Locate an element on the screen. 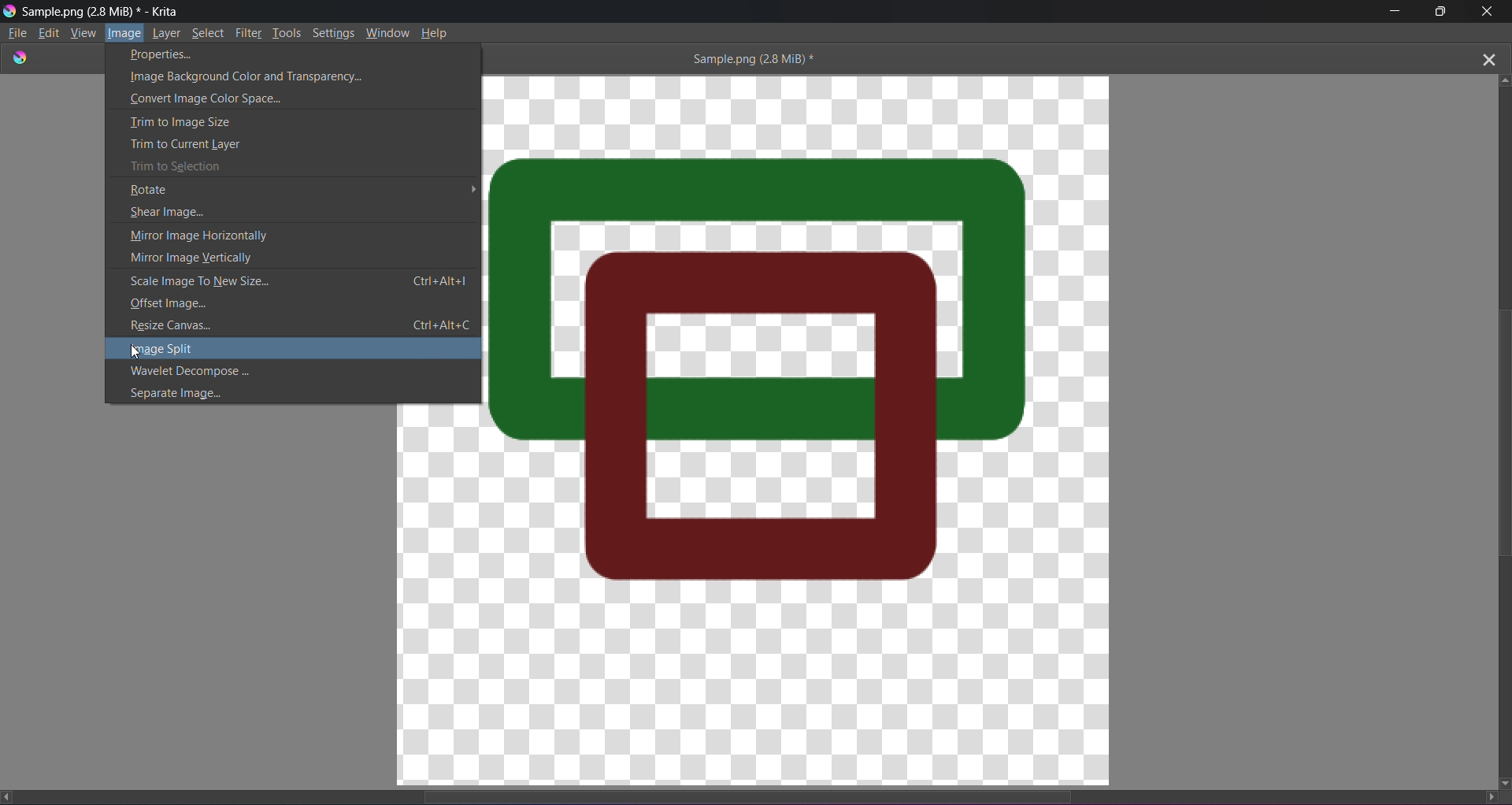 This screenshot has height=805, width=1512. Close Canvas is located at coordinates (1488, 57).